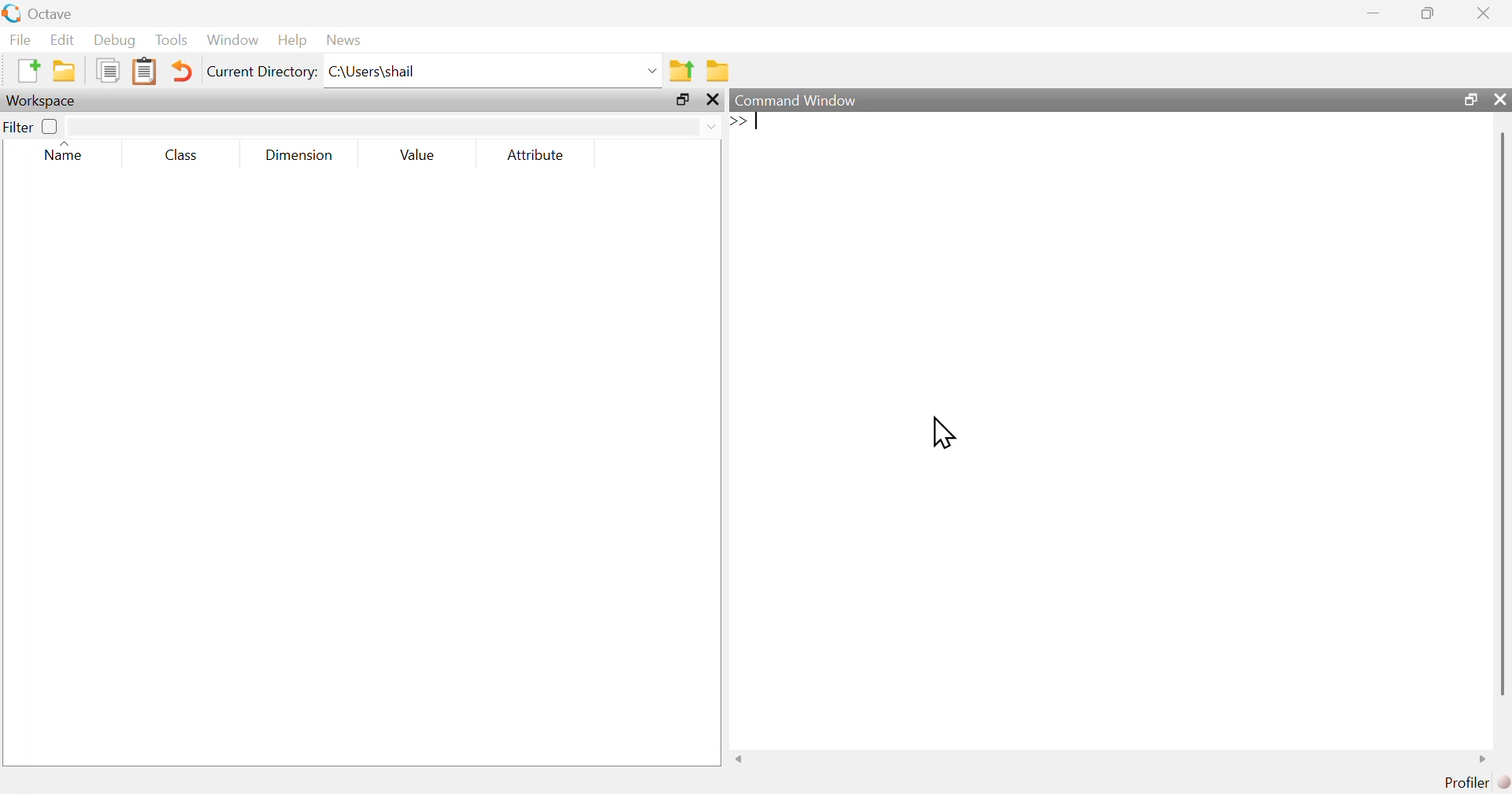 The image size is (1512, 794). What do you see at coordinates (19, 39) in the screenshot?
I see `File` at bounding box center [19, 39].